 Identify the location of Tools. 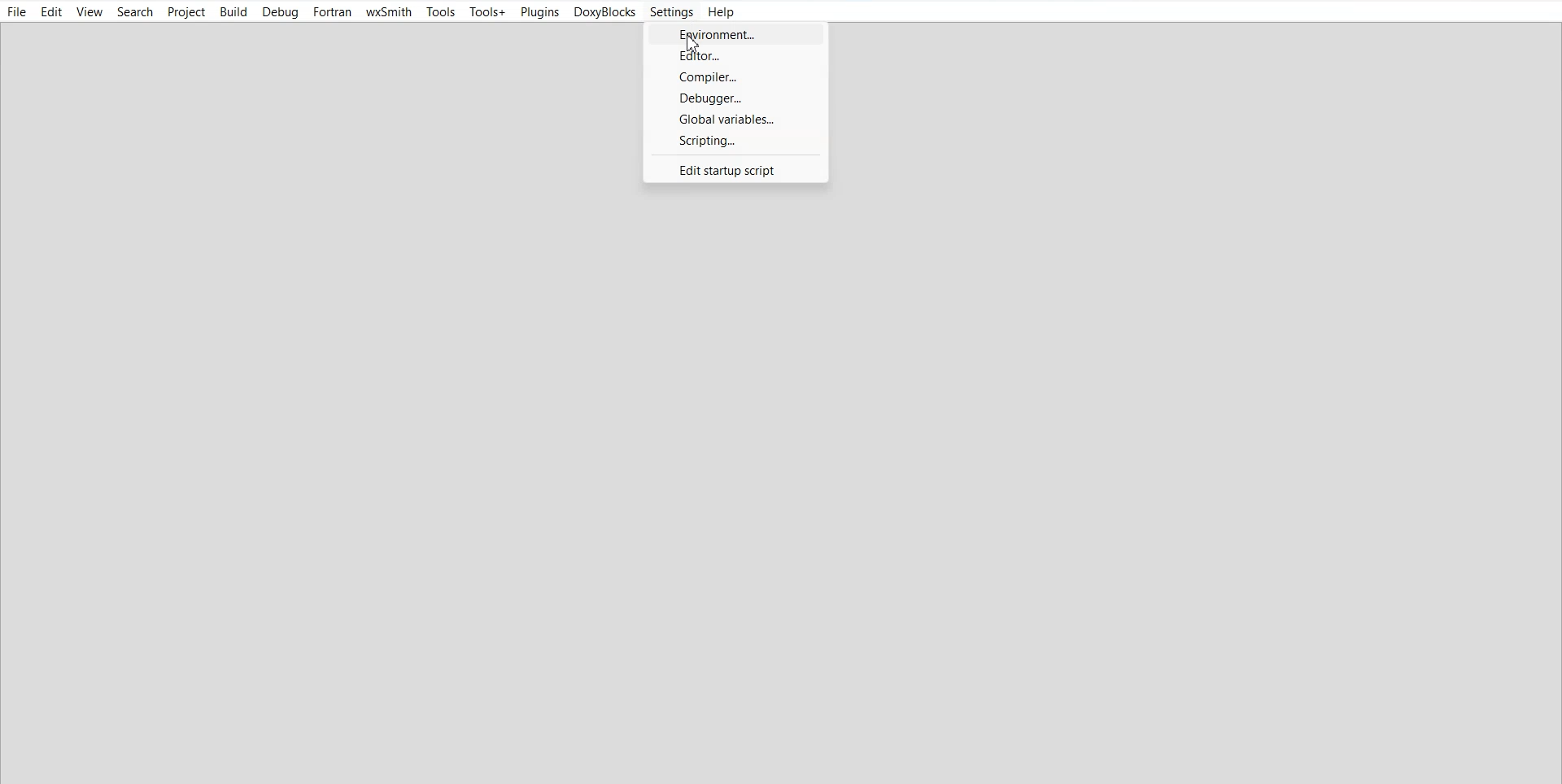
(442, 12).